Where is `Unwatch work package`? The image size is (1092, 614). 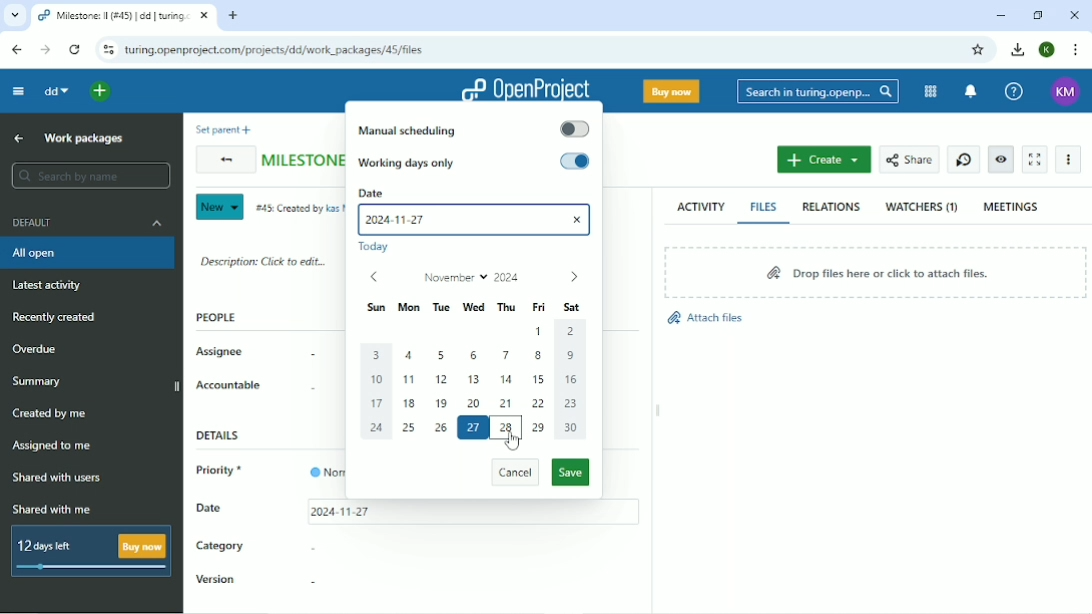
Unwatch work package is located at coordinates (1000, 160).